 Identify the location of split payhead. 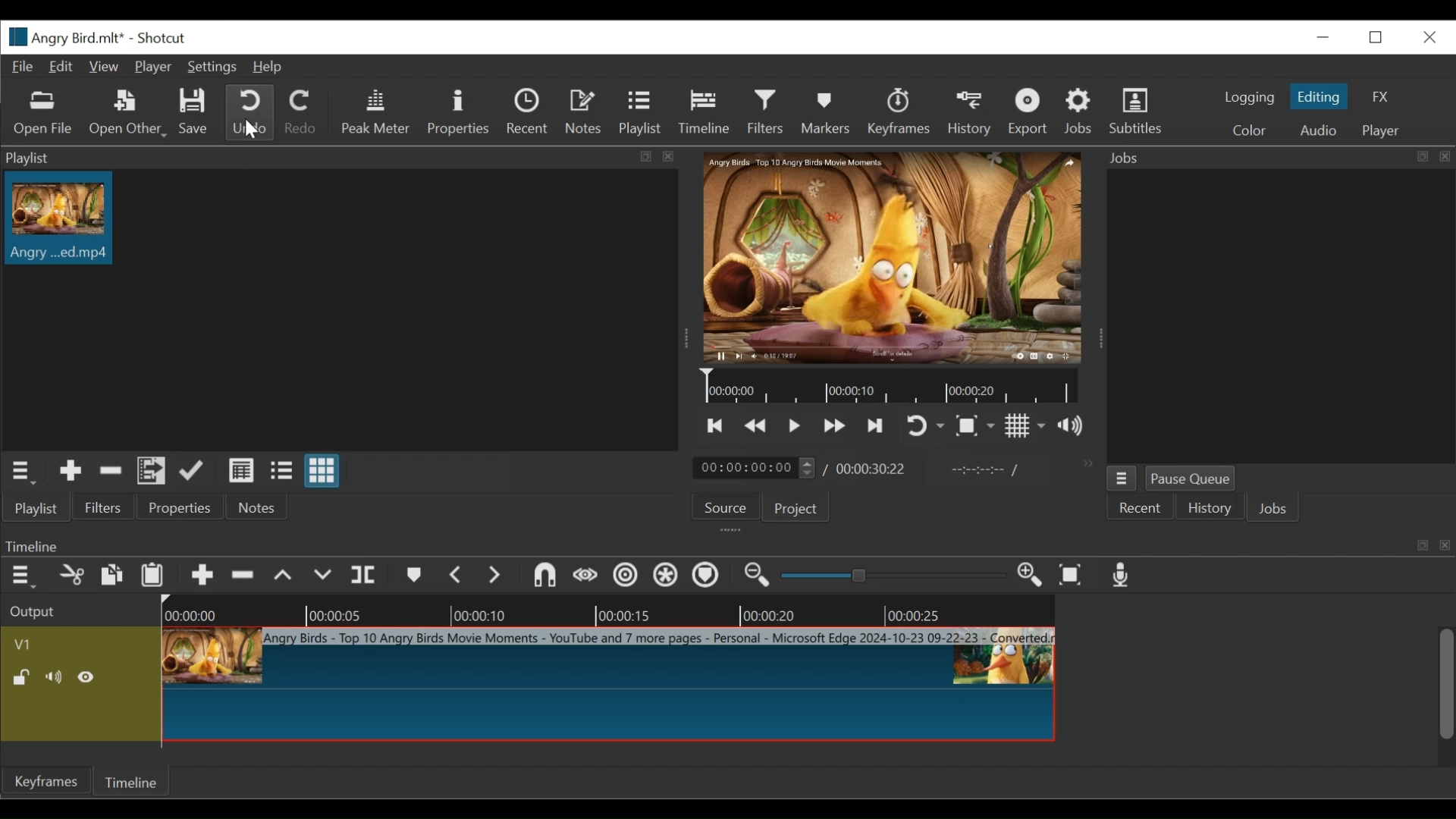
(363, 575).